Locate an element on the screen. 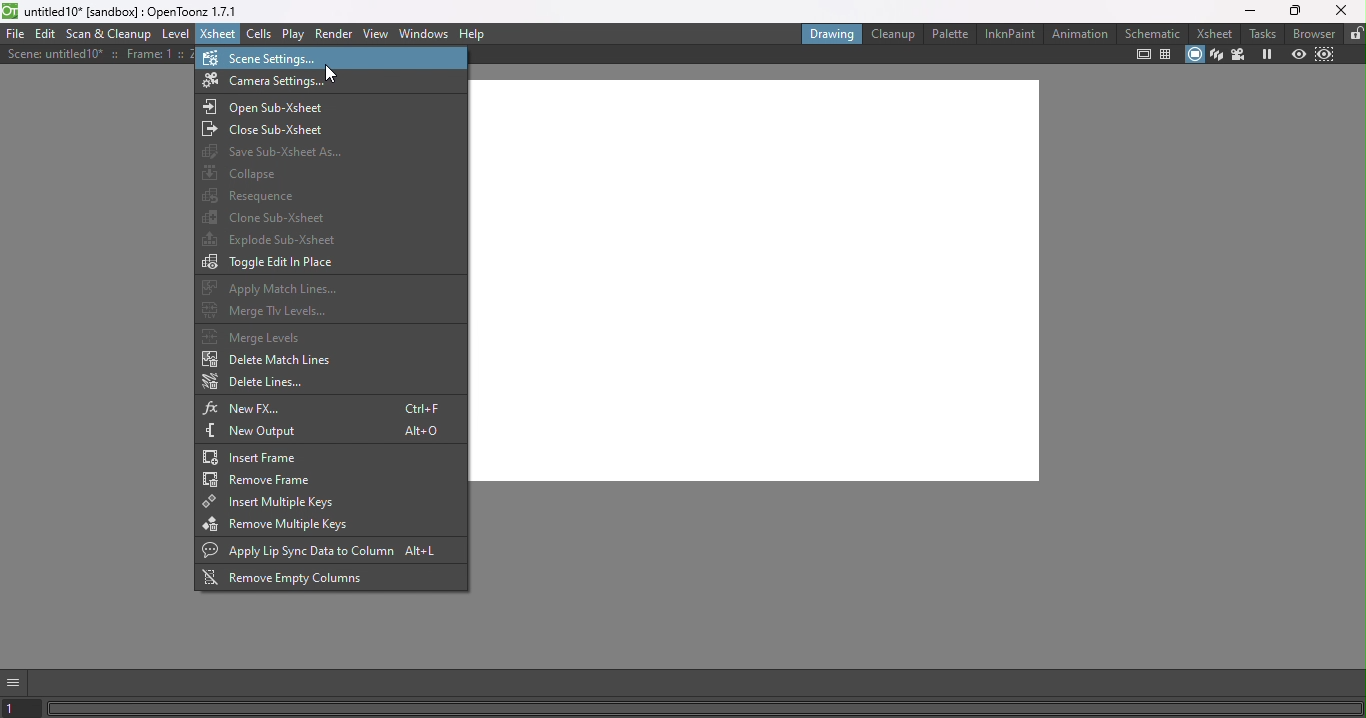  Windows is located at coordinates (422, 34).